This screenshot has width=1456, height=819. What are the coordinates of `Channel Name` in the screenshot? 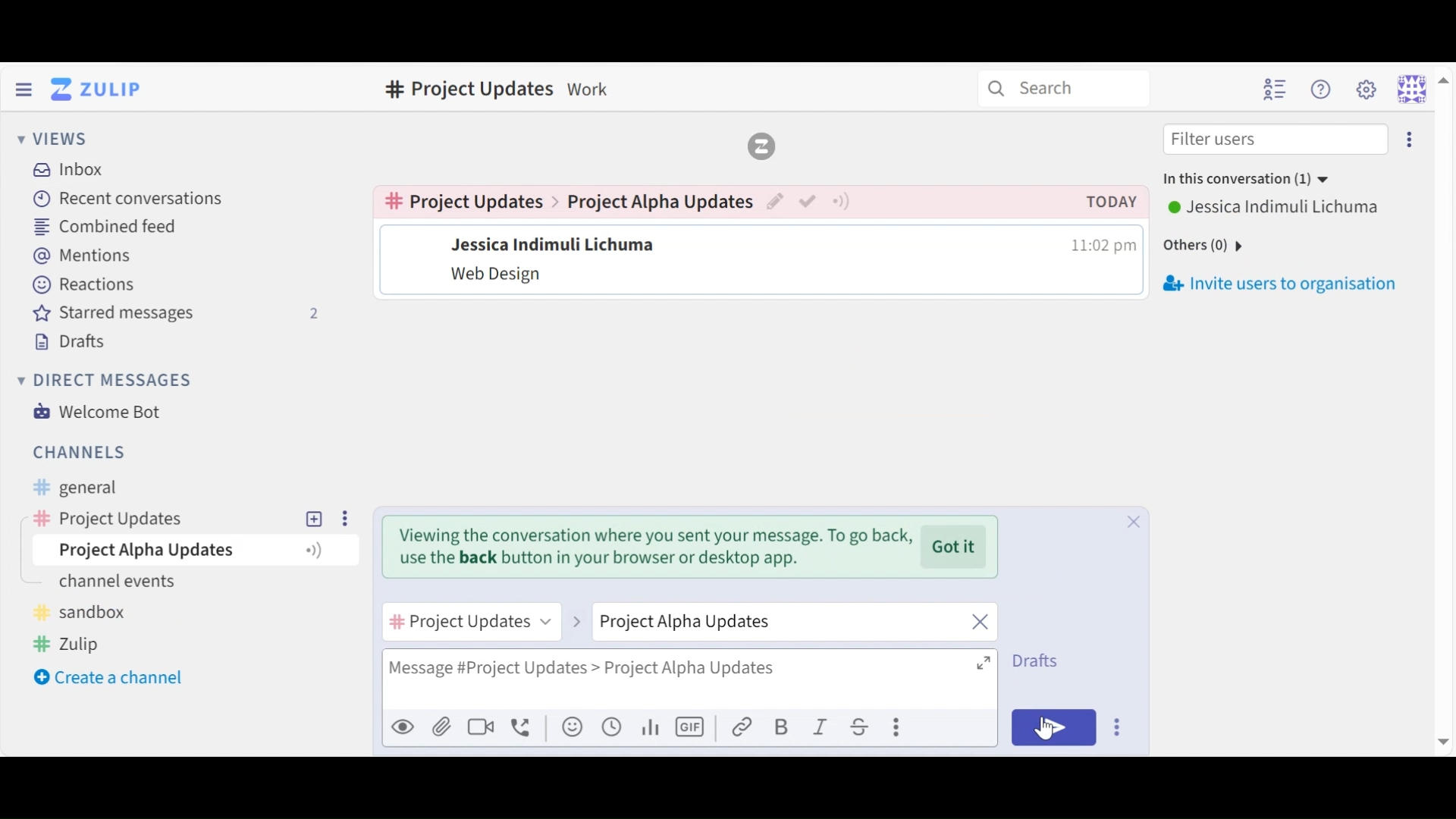 It's located at (468, 201).